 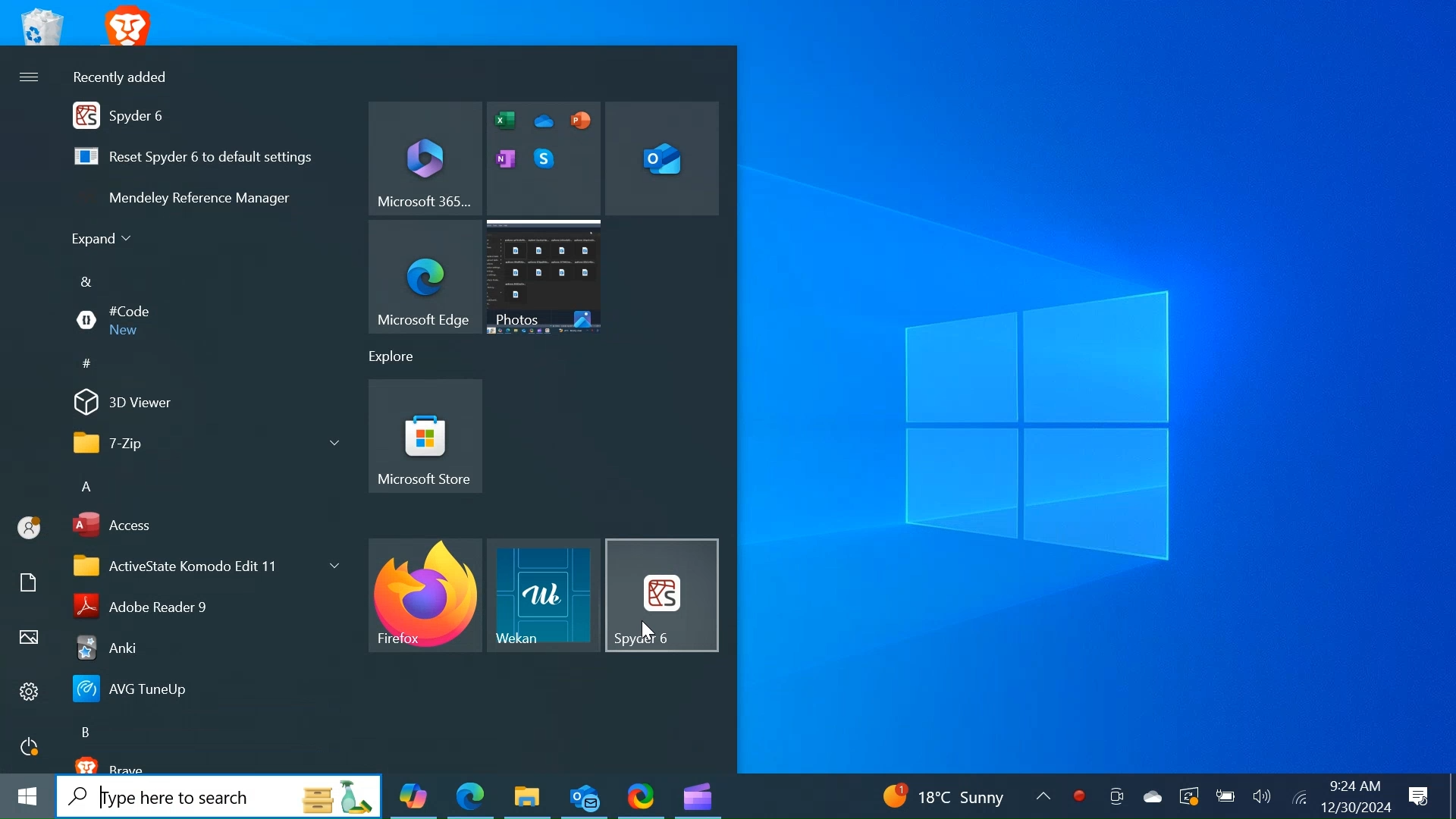 What do you see at coordinates (199, 648) in the screenshot?
I see `Anki` at bounding box center [199, 648].